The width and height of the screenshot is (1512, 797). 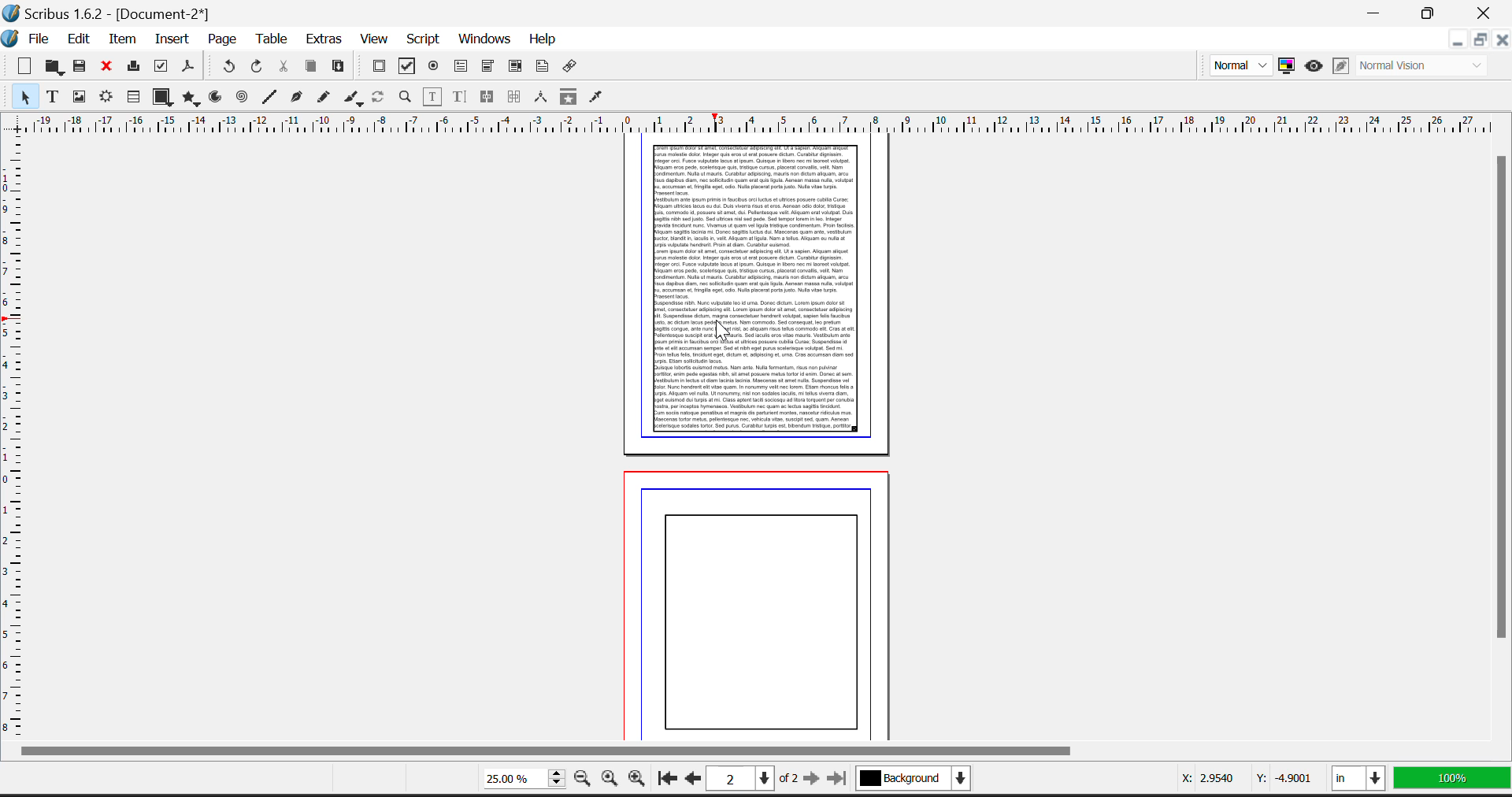 What do you see at coordinates (1454, 782) in the screenshot?
I see `100%` at bounding box center [1454, 782].